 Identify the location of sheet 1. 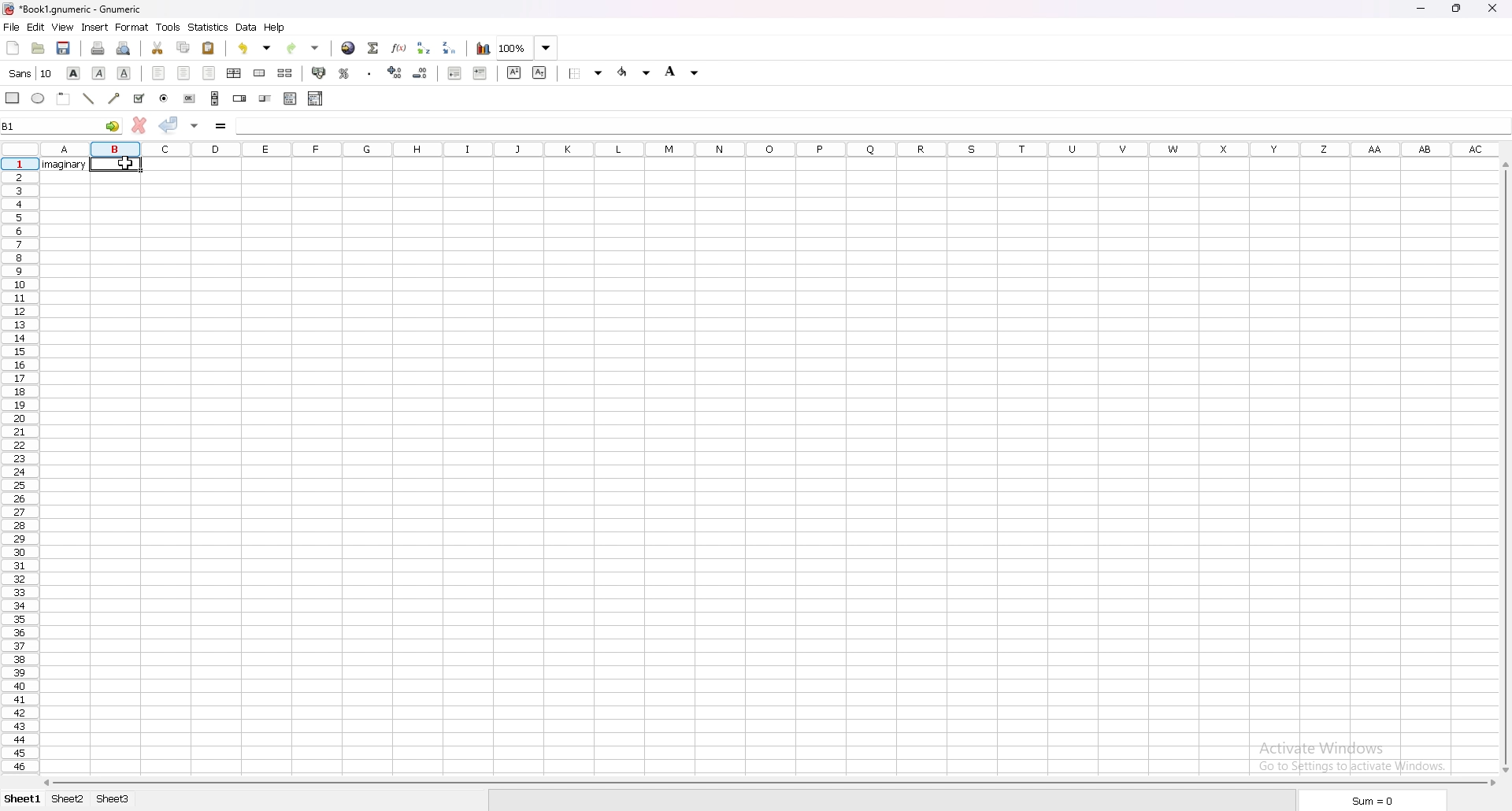
(23, 801).